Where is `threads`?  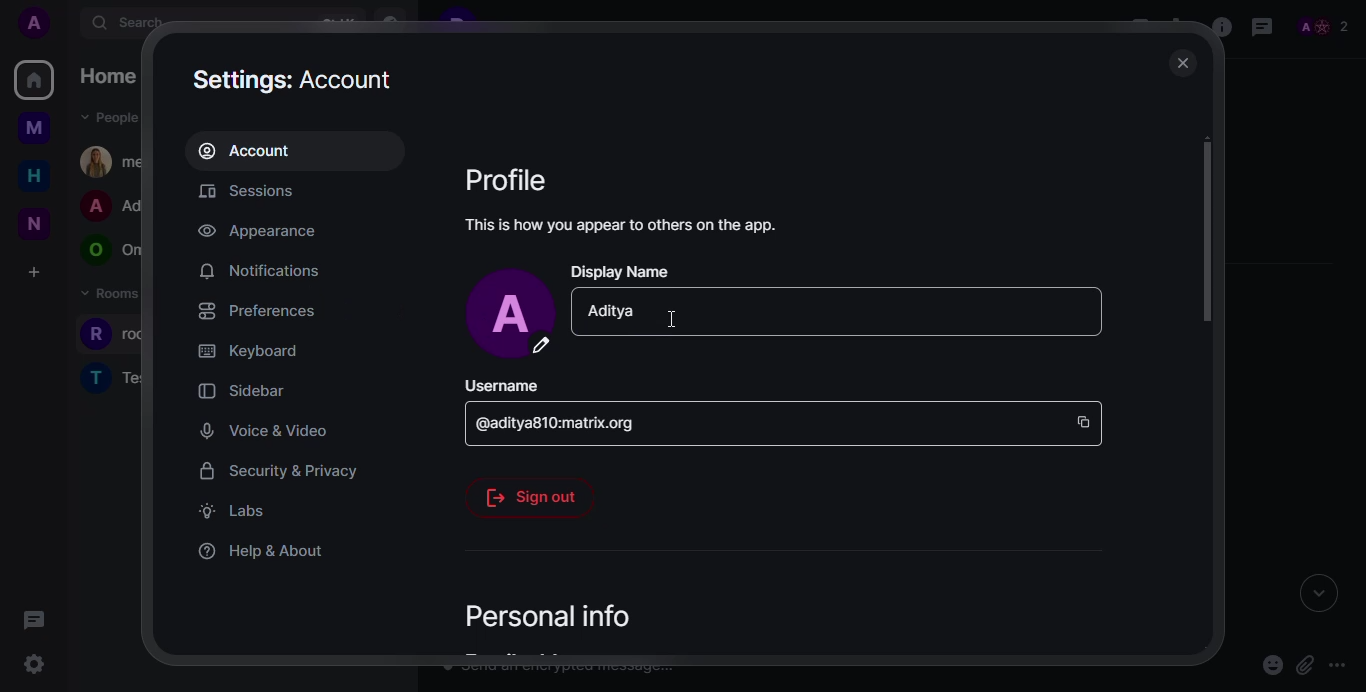
threads is located at coordinates (1262, 27).